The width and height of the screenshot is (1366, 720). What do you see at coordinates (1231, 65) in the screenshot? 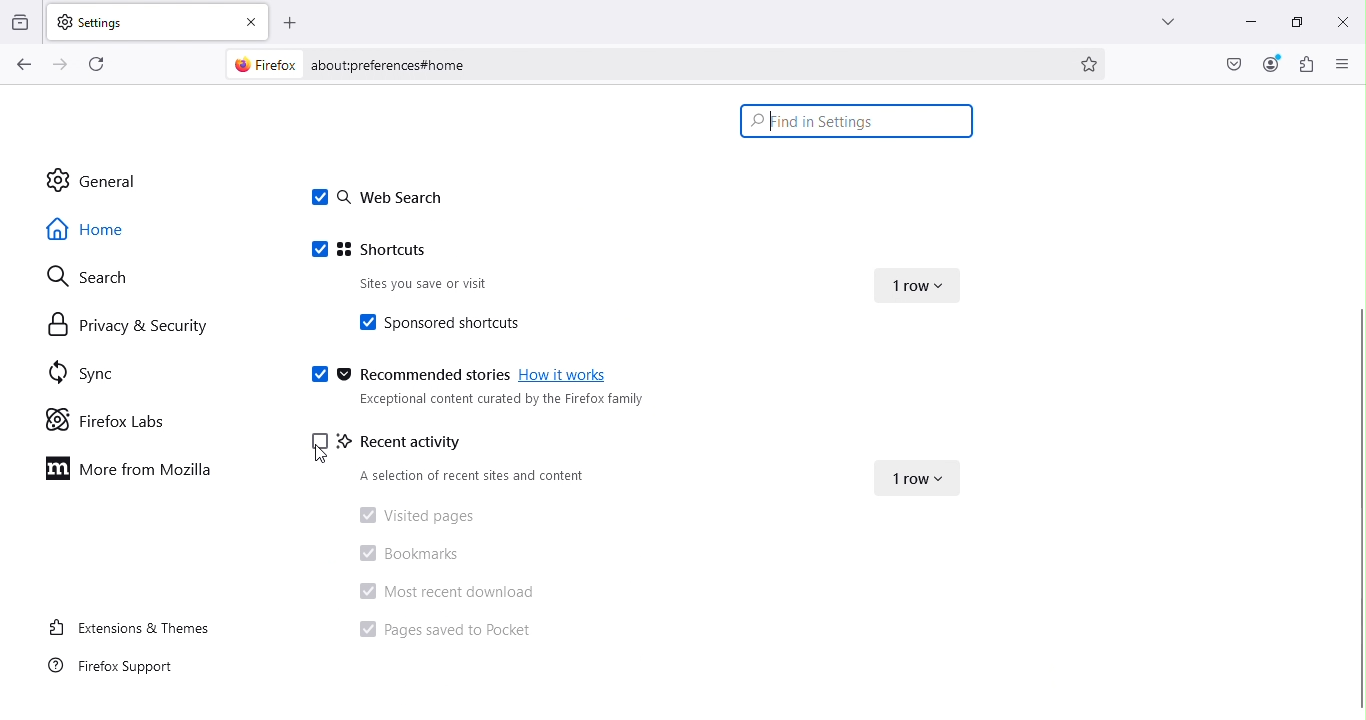
I see `Account` at bounding box center [1231, 65].